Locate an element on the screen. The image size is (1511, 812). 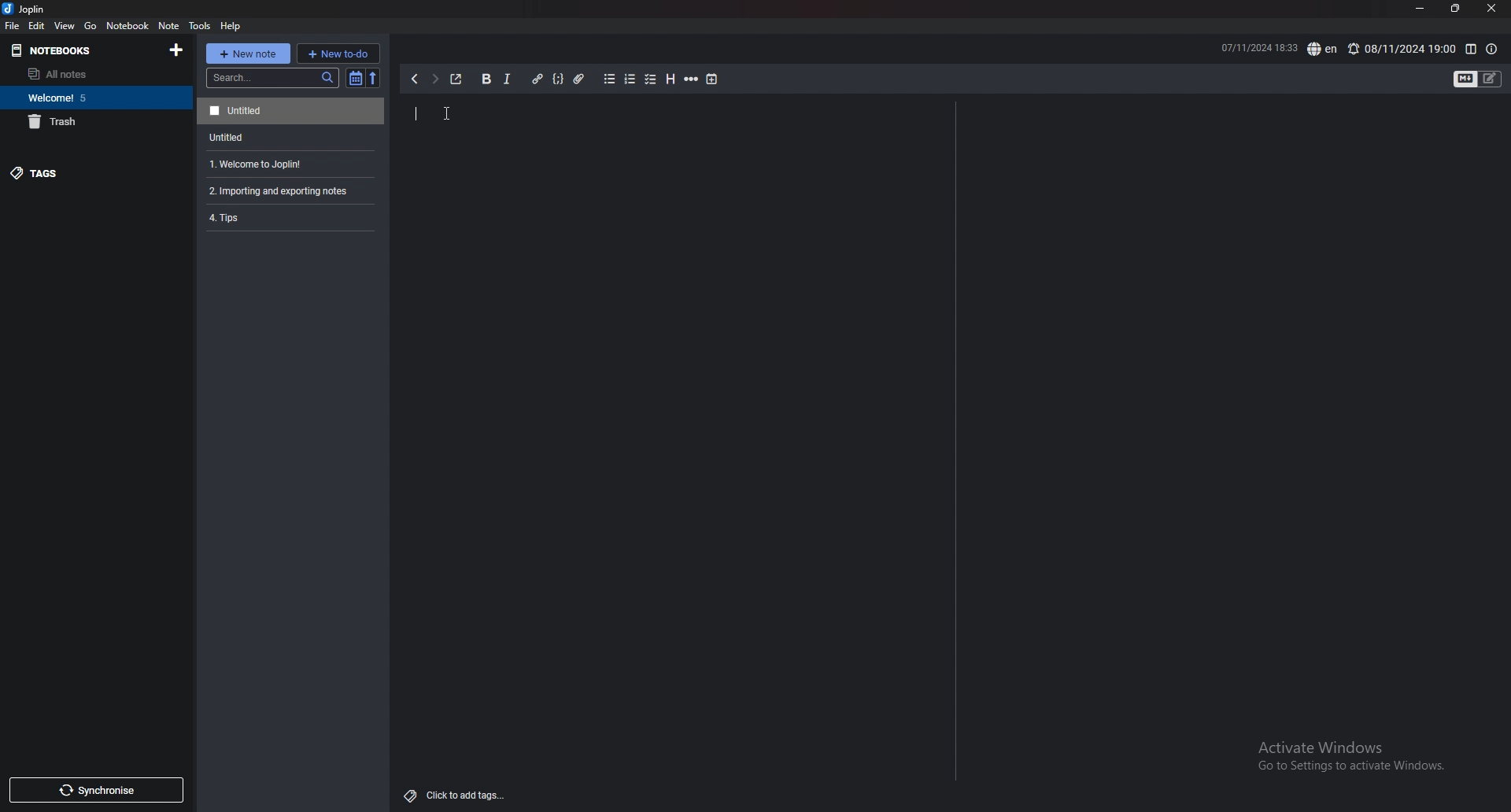
edit is located at coordinates (37, 25).